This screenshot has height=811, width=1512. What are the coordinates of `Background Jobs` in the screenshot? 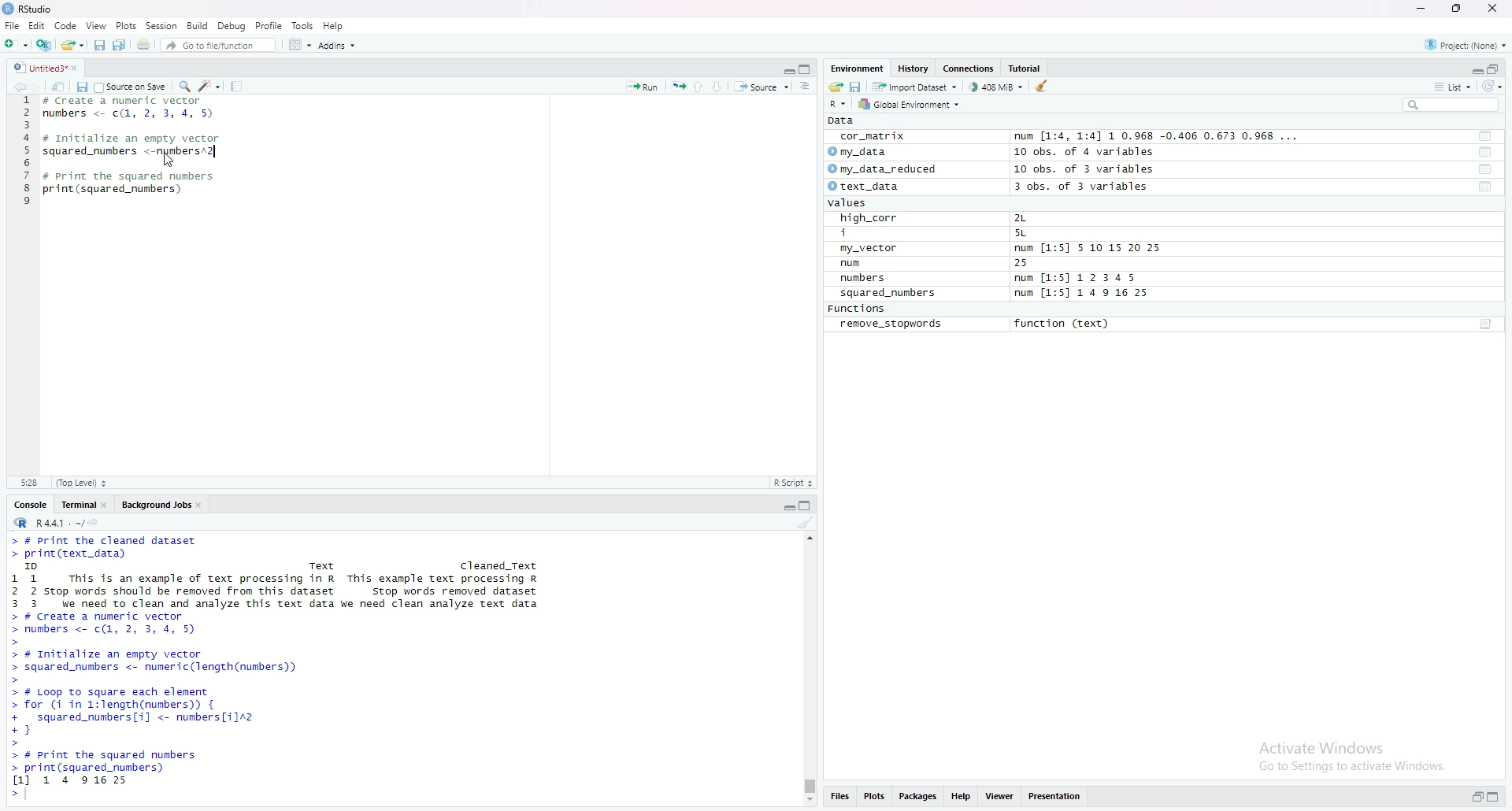 It's located at (155, 503).